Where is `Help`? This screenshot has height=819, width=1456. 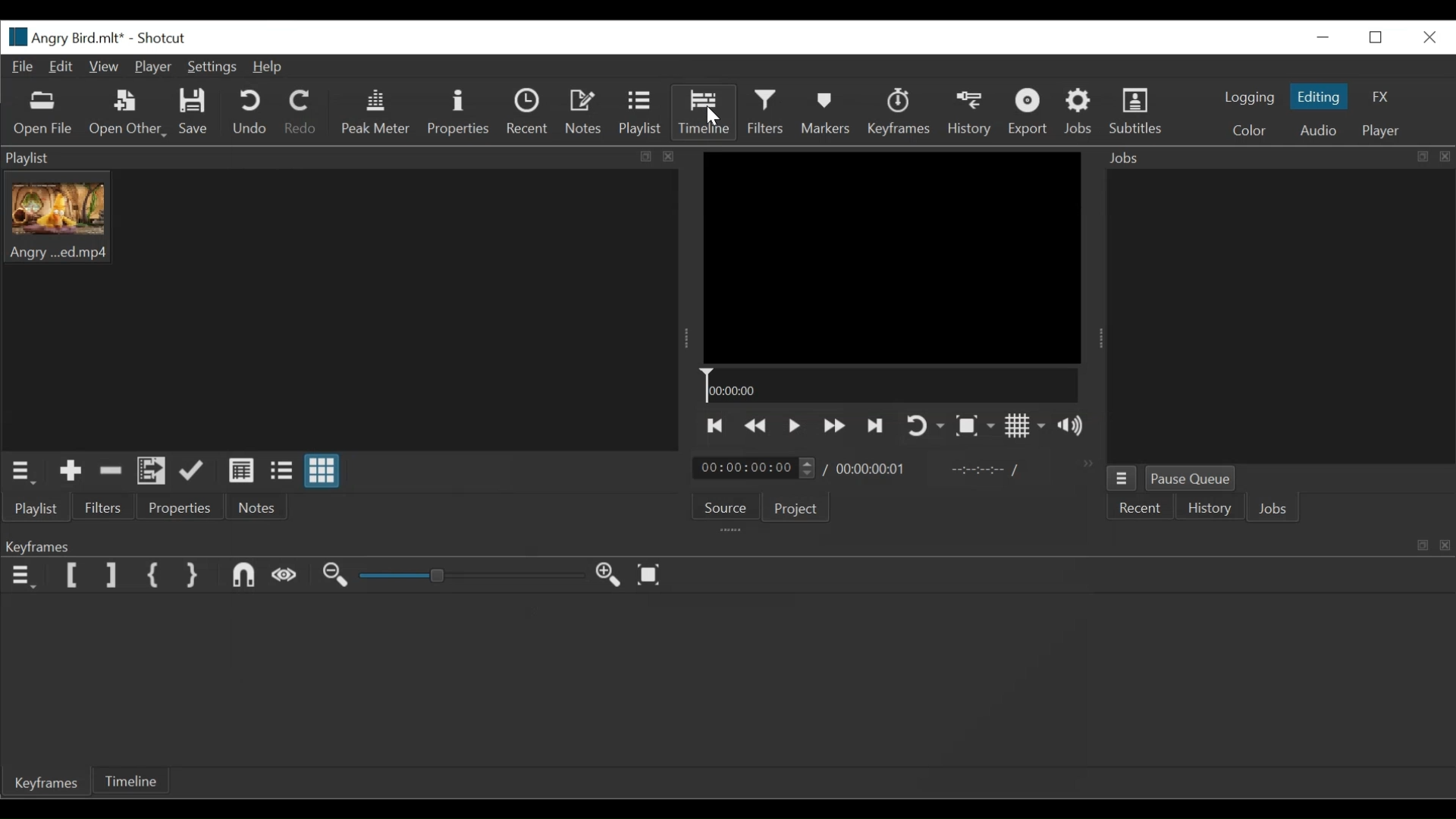
Help is located at coordinates (265, 67).